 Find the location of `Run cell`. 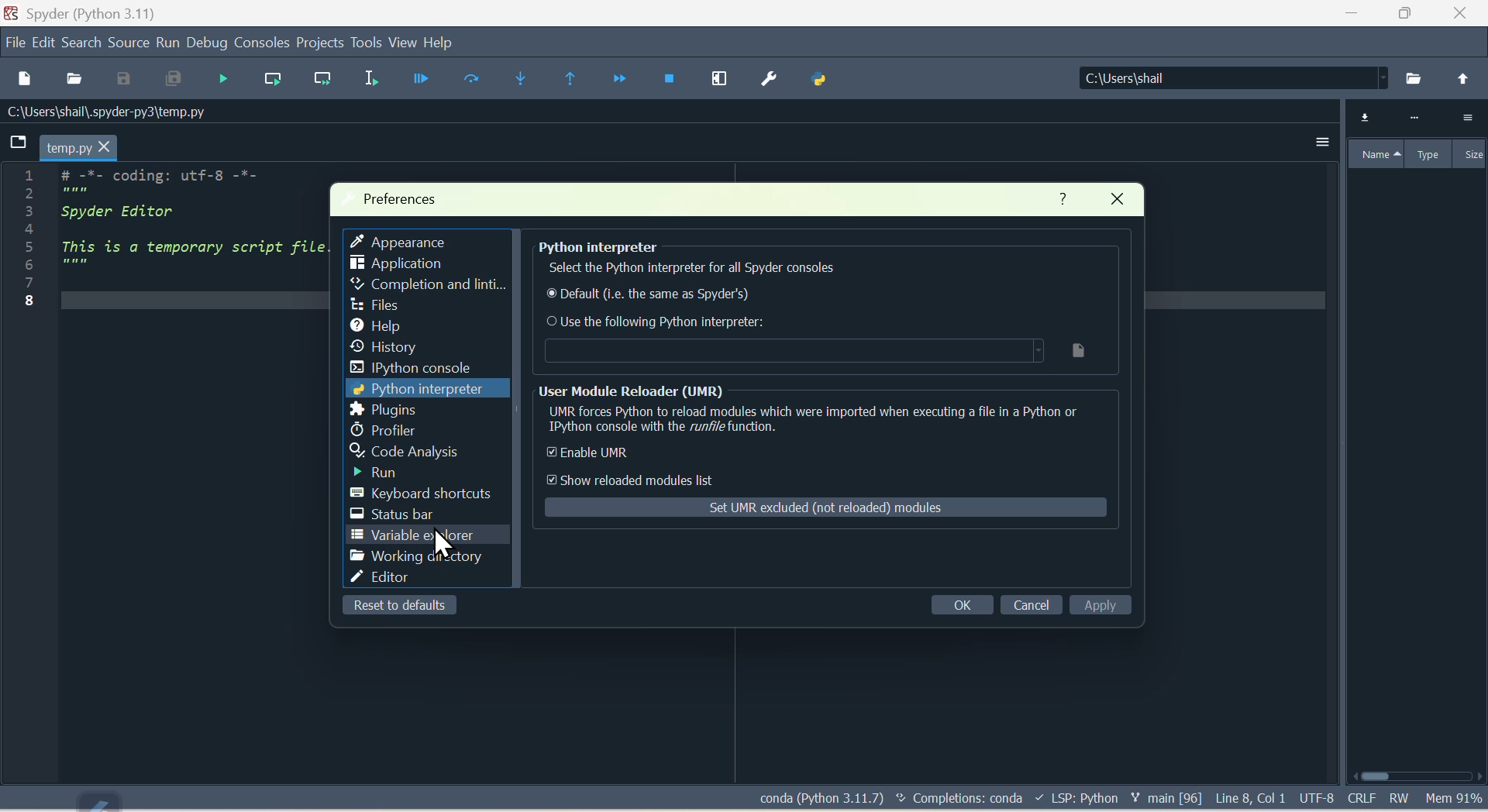

Run cell is located at coordinates (472, 83).